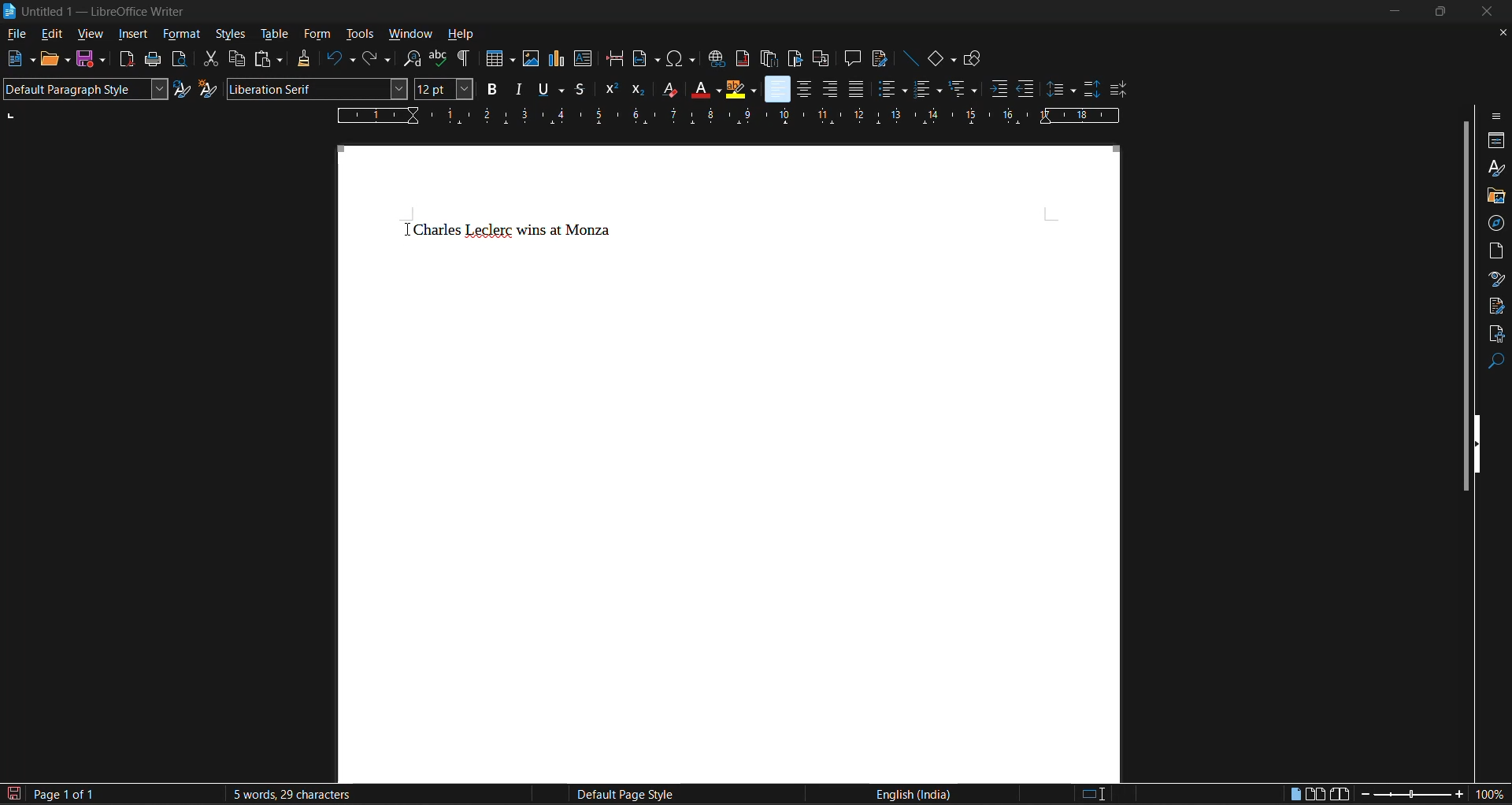 This screenshot has width=1512, height=805. I want to click on find and replace, so click(411, 59).